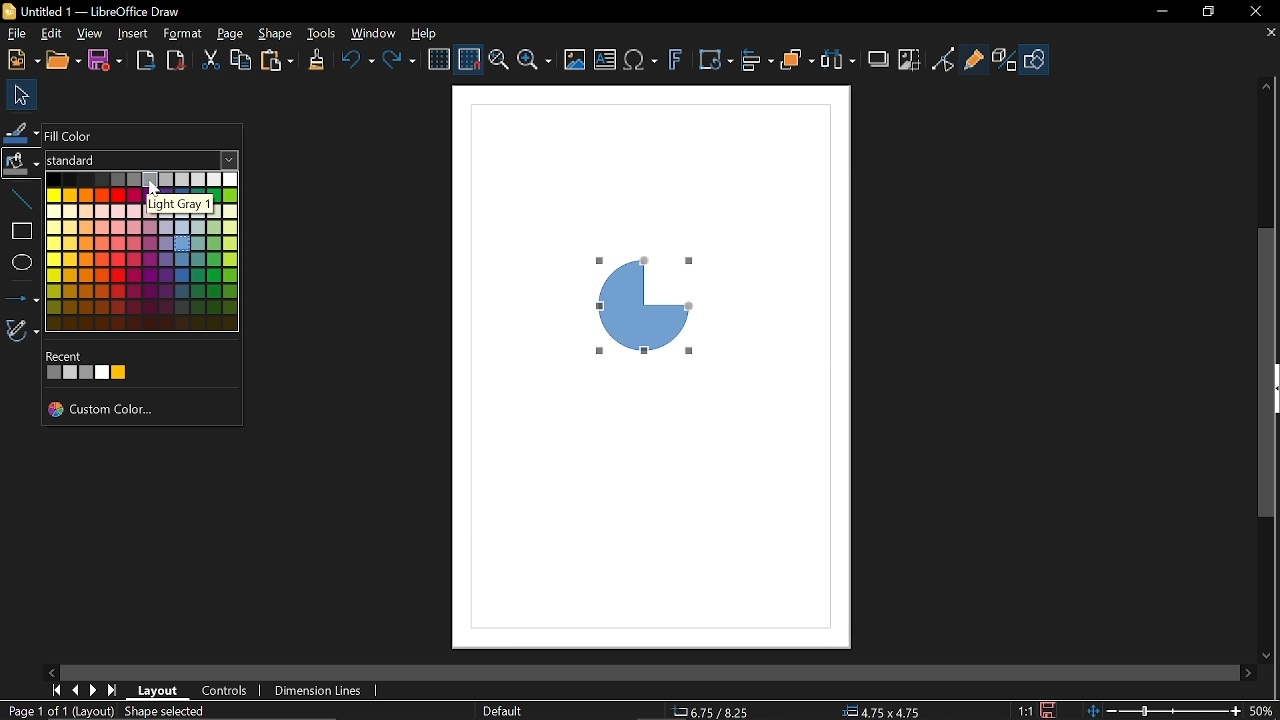 This screenshot has width=1280, height=720. I want to click on Lines and arrows, so click(21, 298).